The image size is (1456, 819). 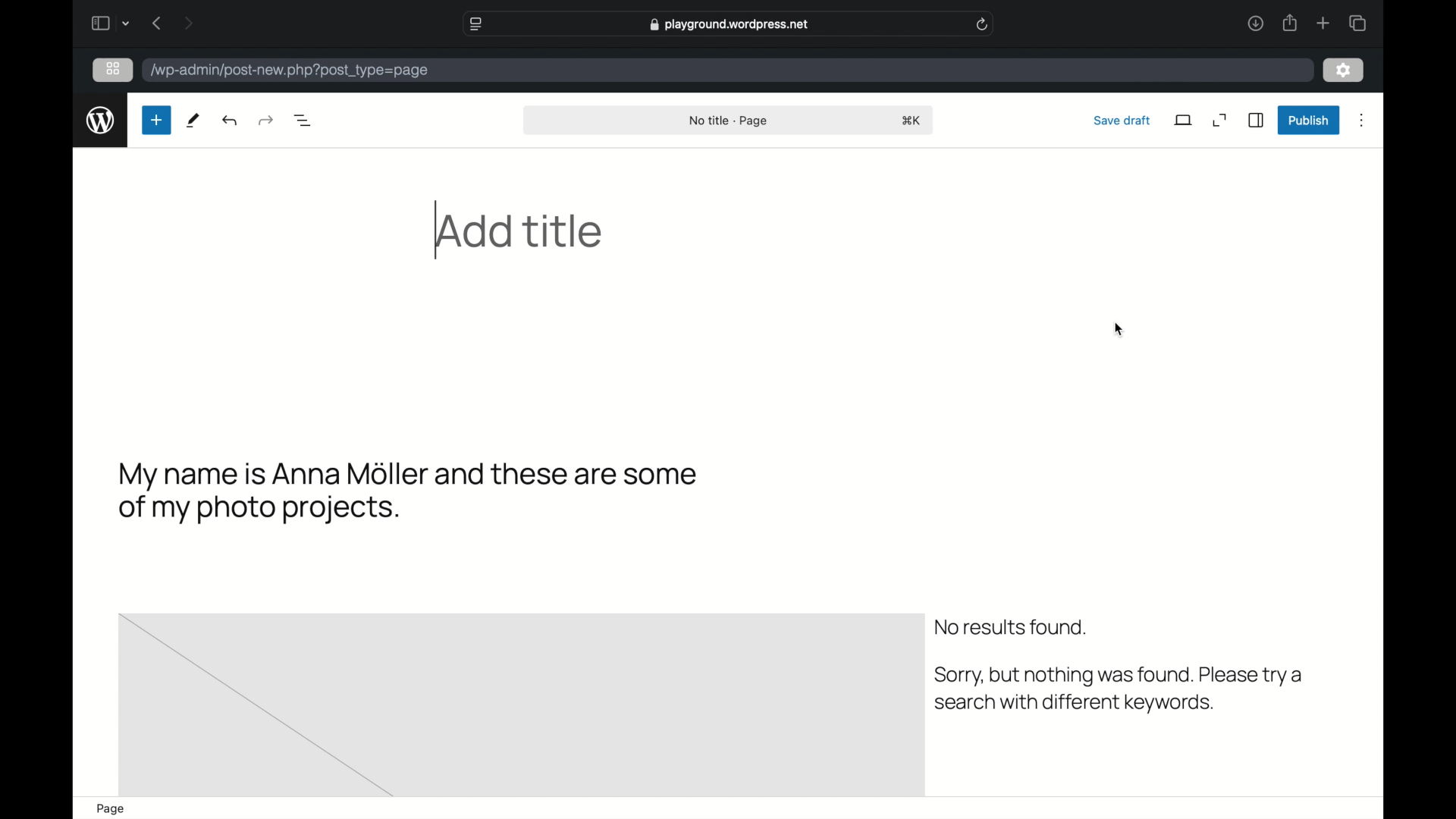 I want to click on share, so click(x=1288, y=24).